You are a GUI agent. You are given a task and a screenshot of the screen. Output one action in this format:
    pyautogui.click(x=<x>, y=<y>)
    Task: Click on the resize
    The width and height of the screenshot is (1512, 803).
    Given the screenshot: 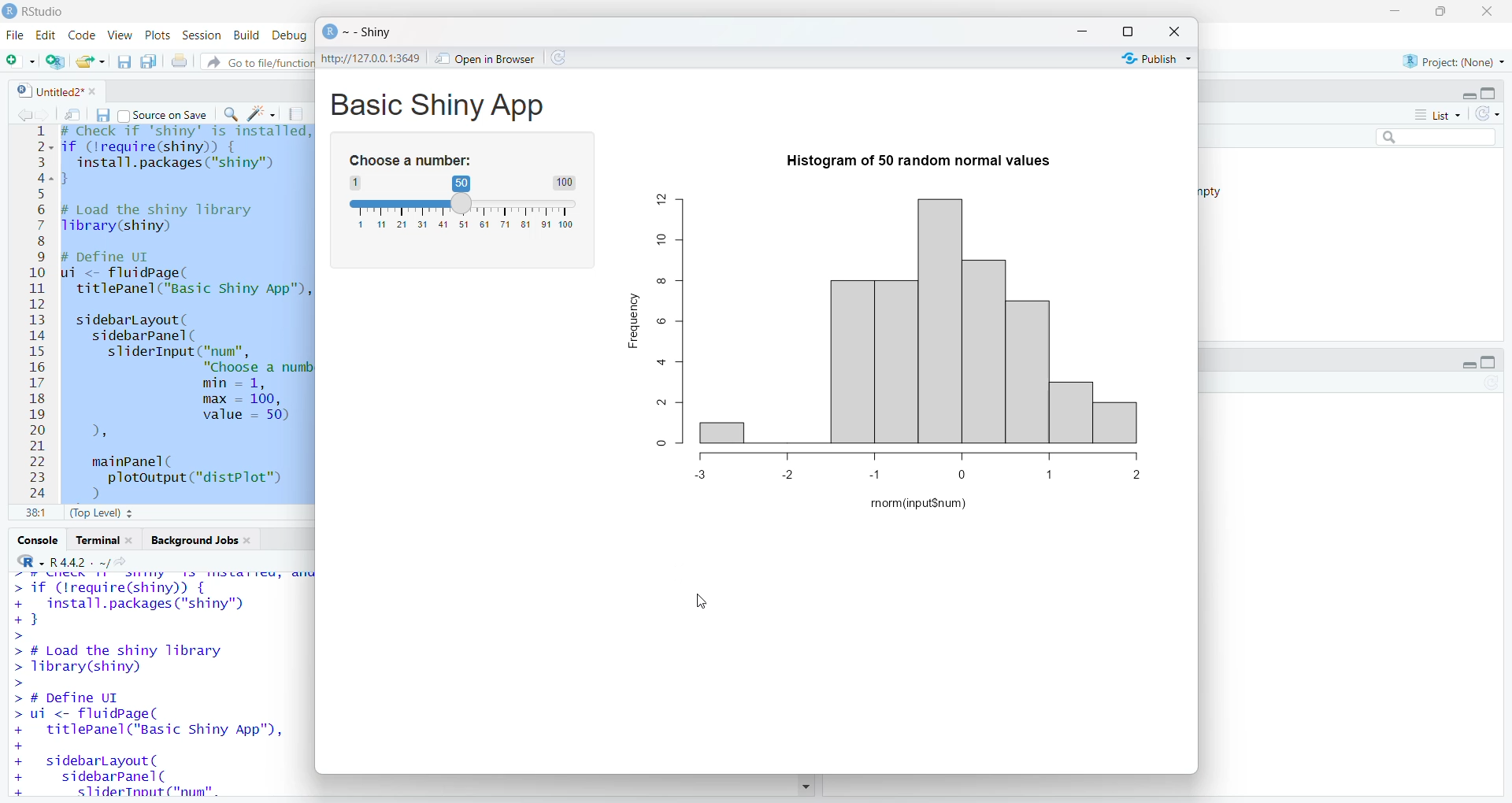 What is the action you would take?
    pyautogui.click(x=1438, y=11)
    